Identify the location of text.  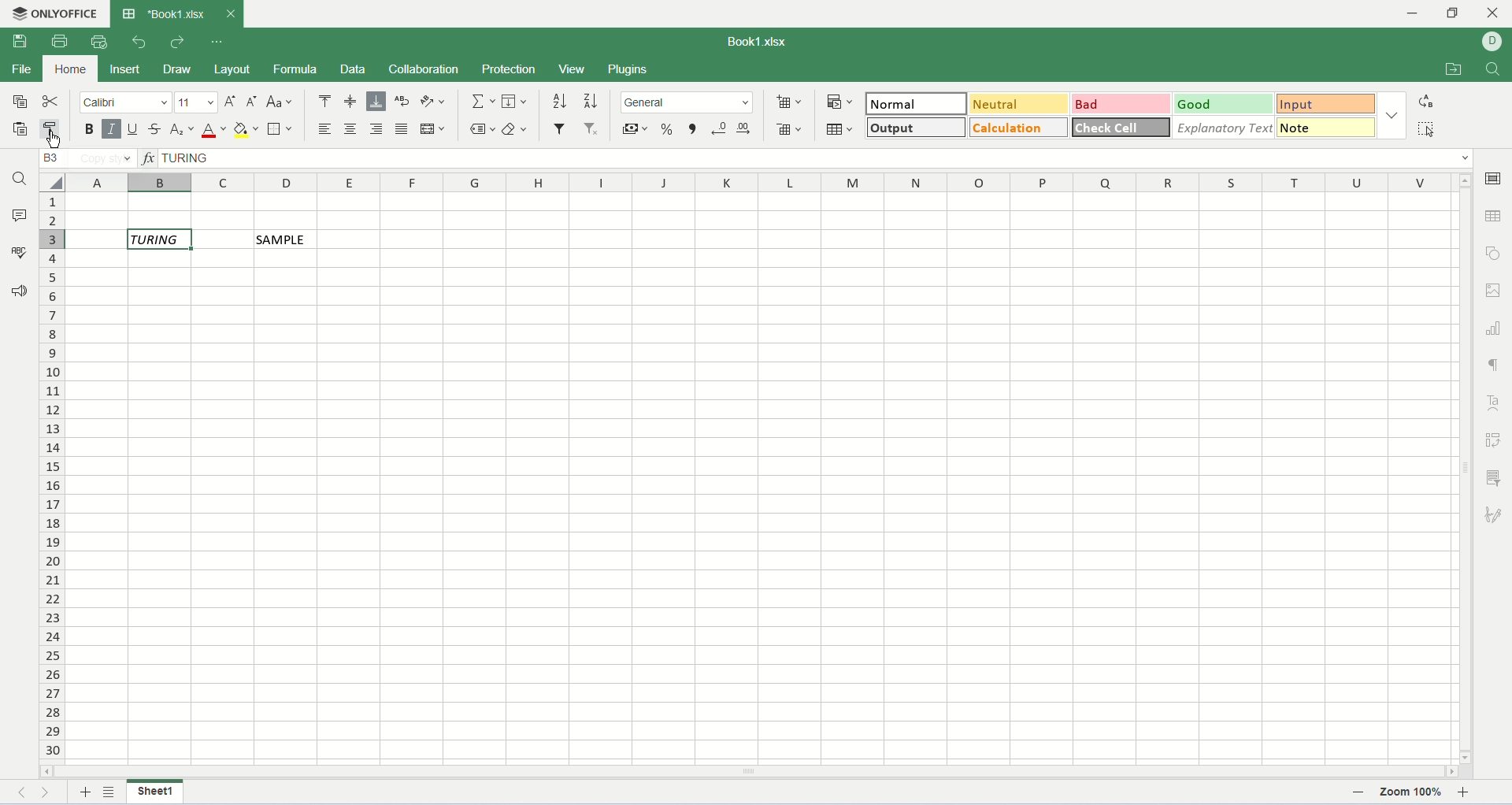
(283, 239).